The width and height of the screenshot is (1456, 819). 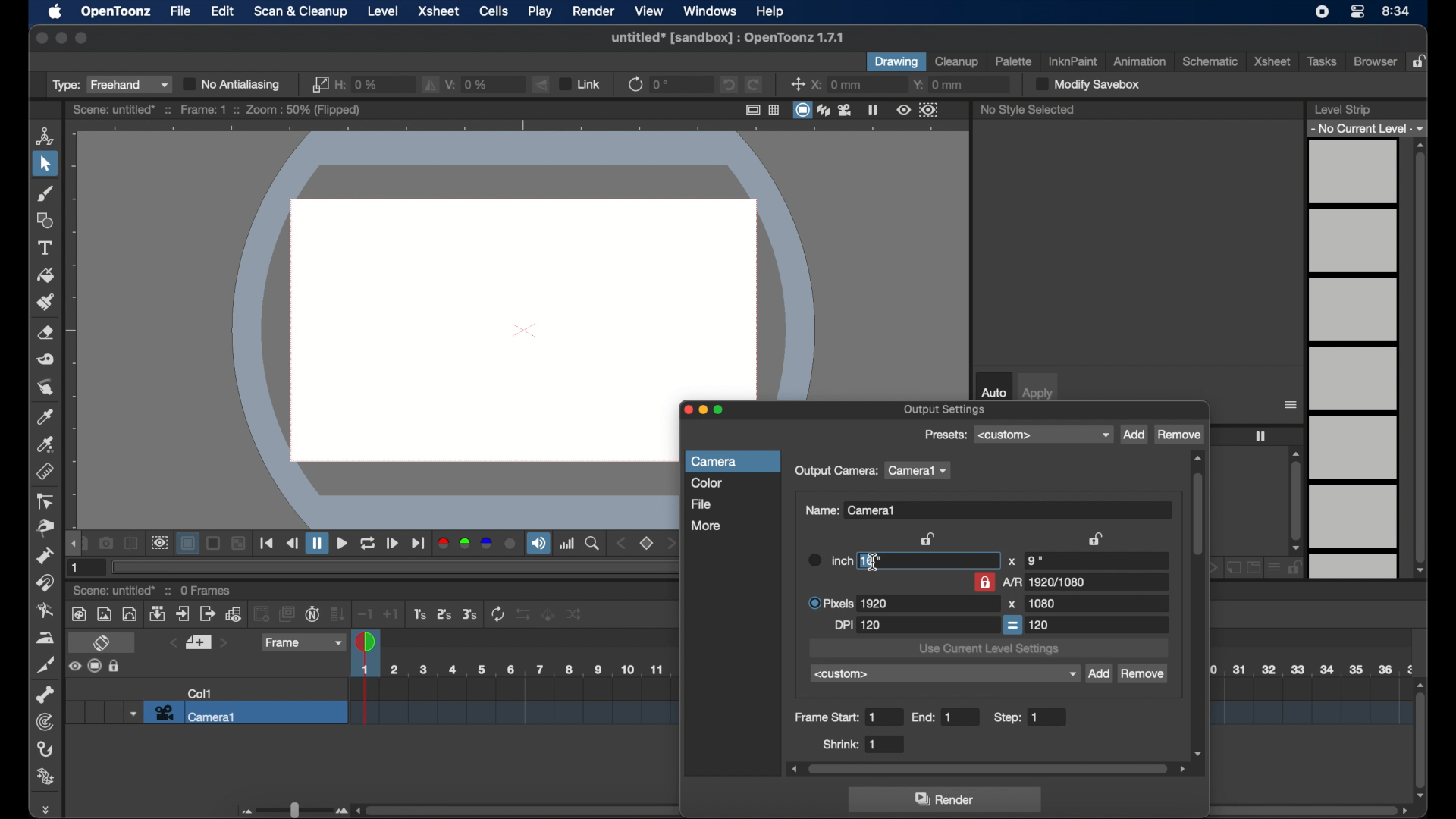 I want to click on col1, so click(x=200, y=693).